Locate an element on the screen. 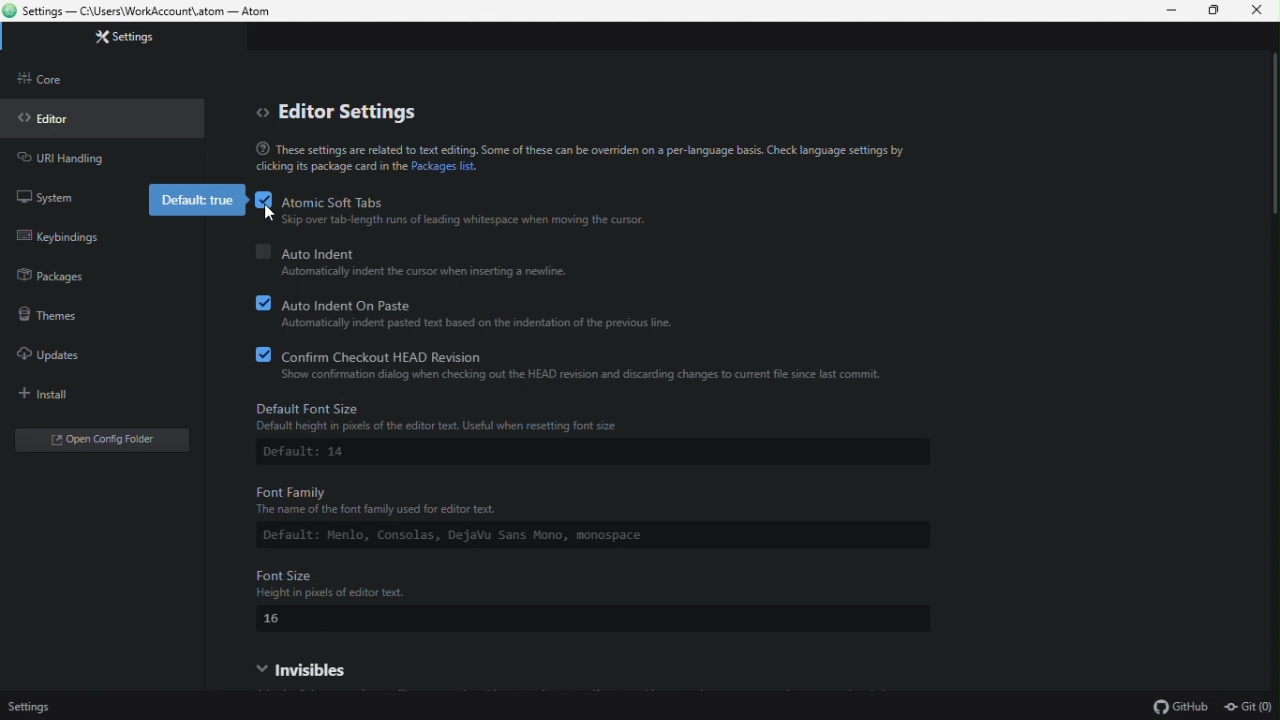 The height and width of the screenshot is (720, 1280). on is located at coordinates (264, 199).